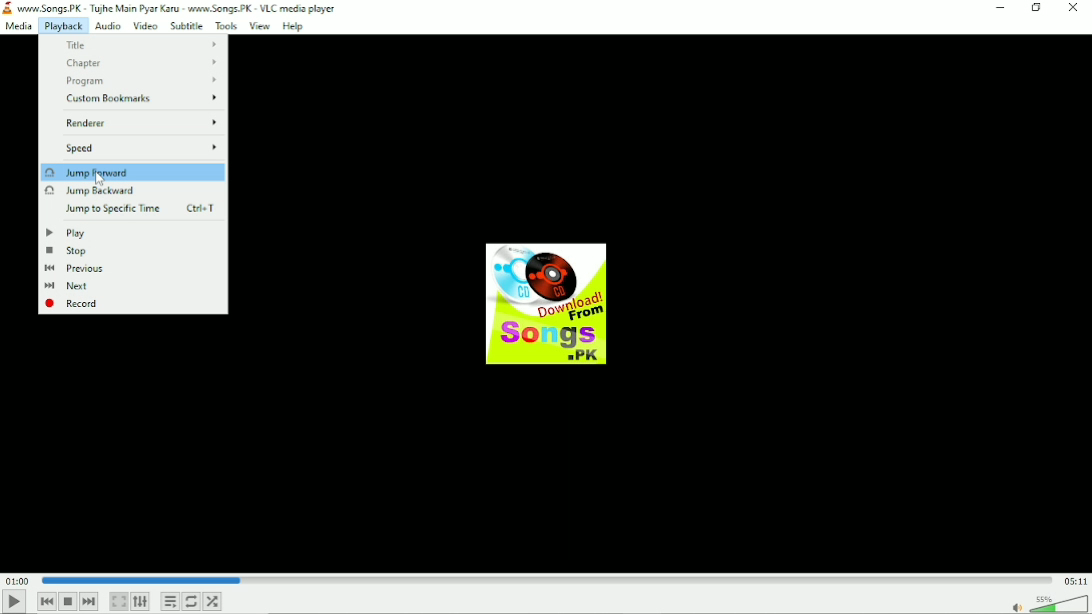  Describe the element at coordinates (92, 172) in the screenshot. I see `Jump forward` at that location.